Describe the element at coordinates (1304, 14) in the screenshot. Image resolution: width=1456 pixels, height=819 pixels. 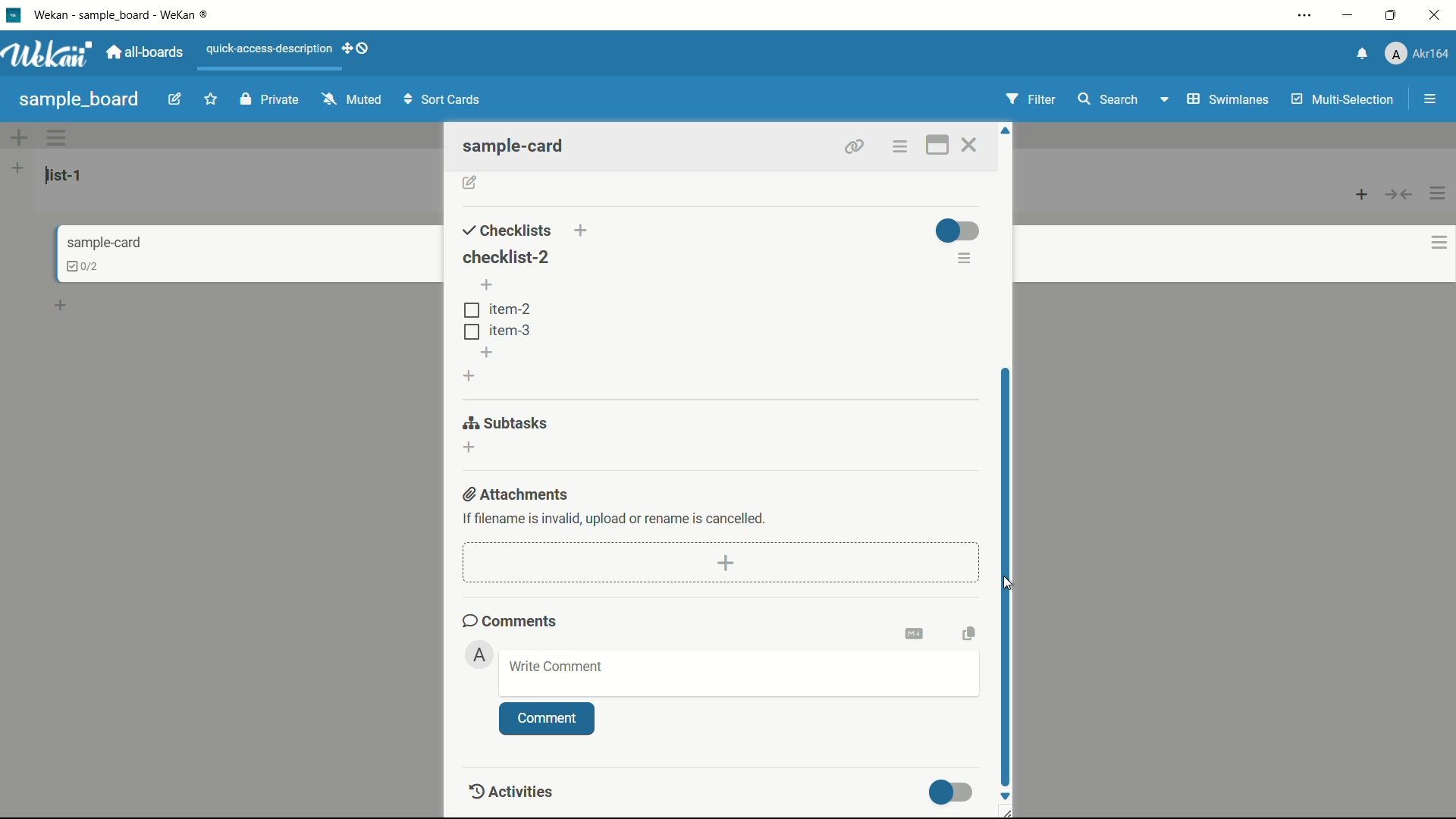
I see `settings and more` at that location.